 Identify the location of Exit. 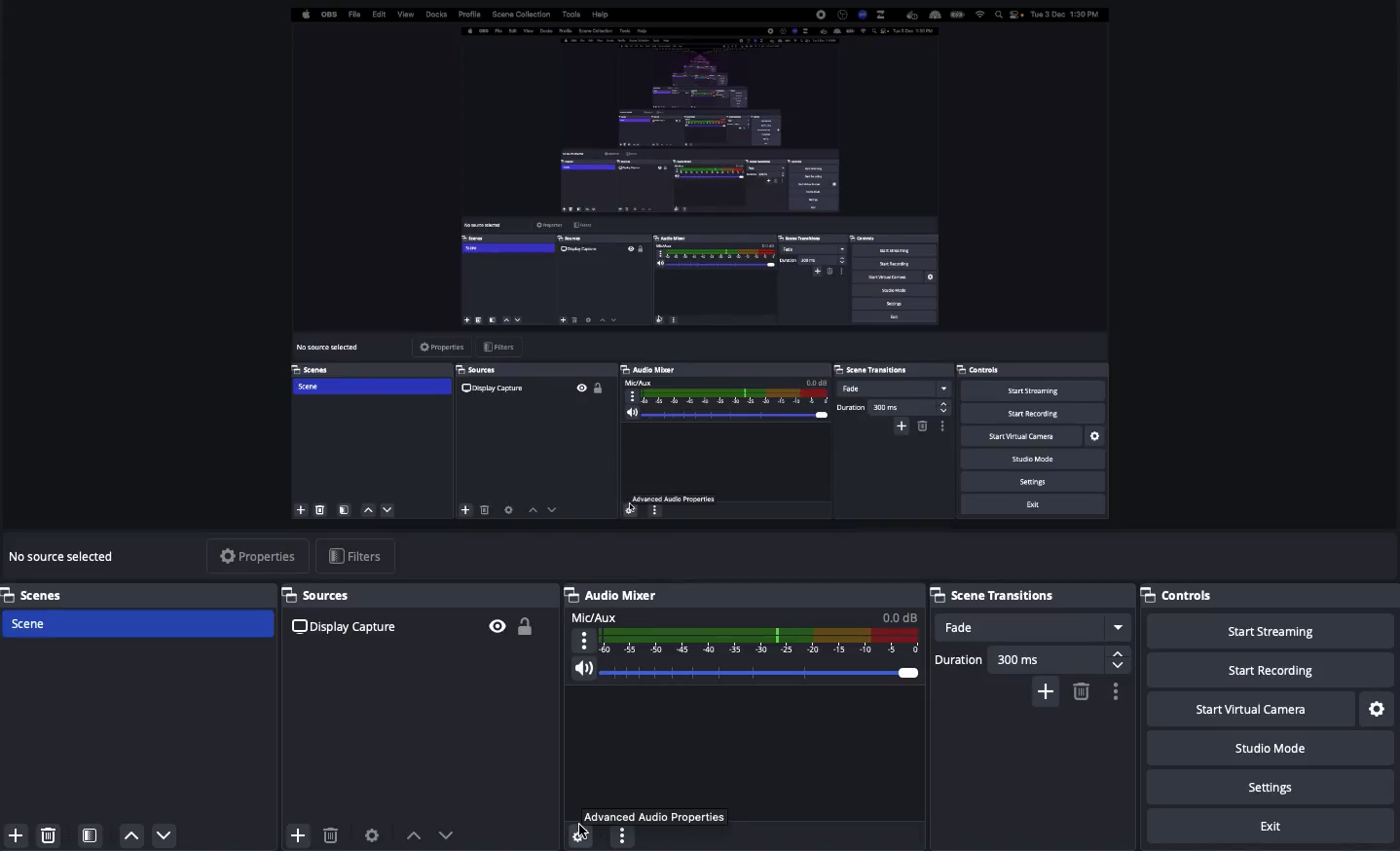
(1271, 826).